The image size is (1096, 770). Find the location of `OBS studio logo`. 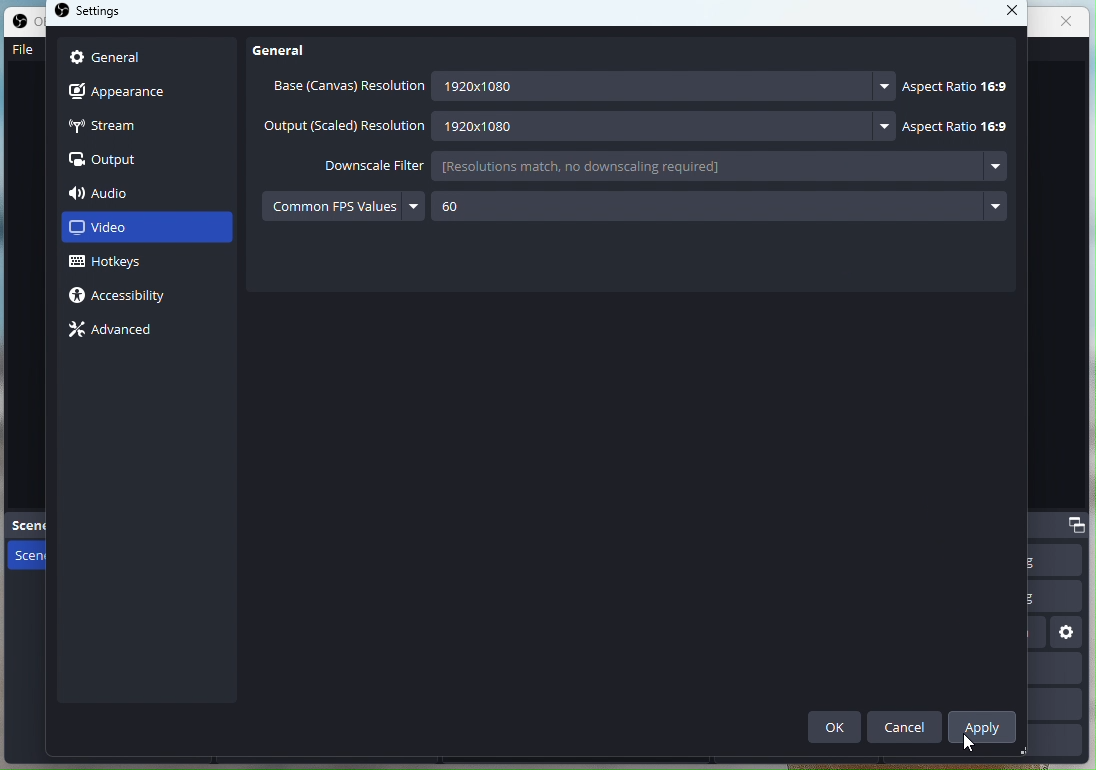

OBS studio logo is located at coordinates (63, 13).